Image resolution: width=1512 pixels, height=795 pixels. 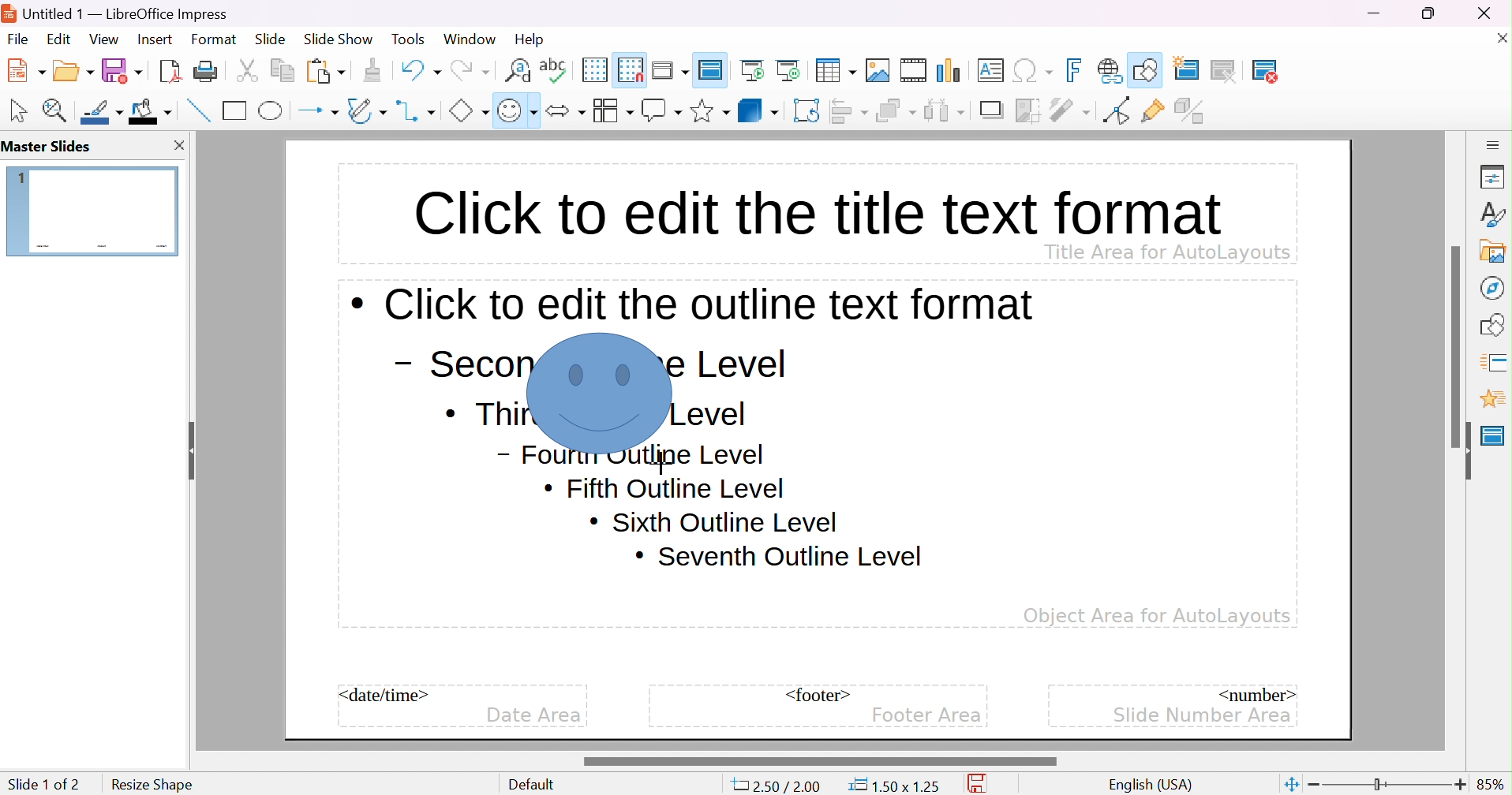 What do you see at coordinates (808, 110) in the screenshot?
I see `rotate` at bounding box center [808, 110].